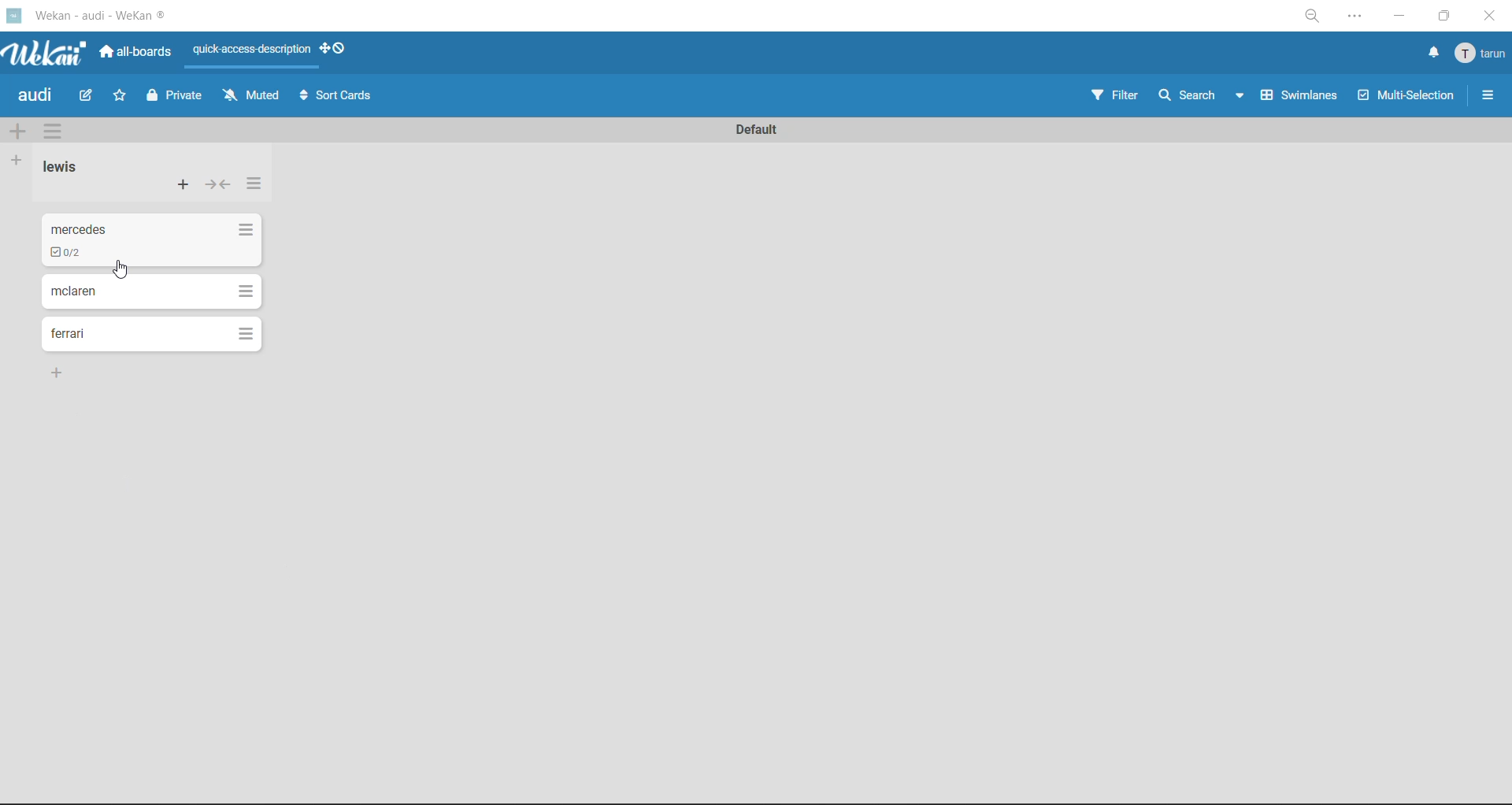 Image resolution: width=1512 pixels, height=805 pixels. What do you see at coordinates (754, 129) in the screenshot?
I see `default` at bounding box center [754, 129].